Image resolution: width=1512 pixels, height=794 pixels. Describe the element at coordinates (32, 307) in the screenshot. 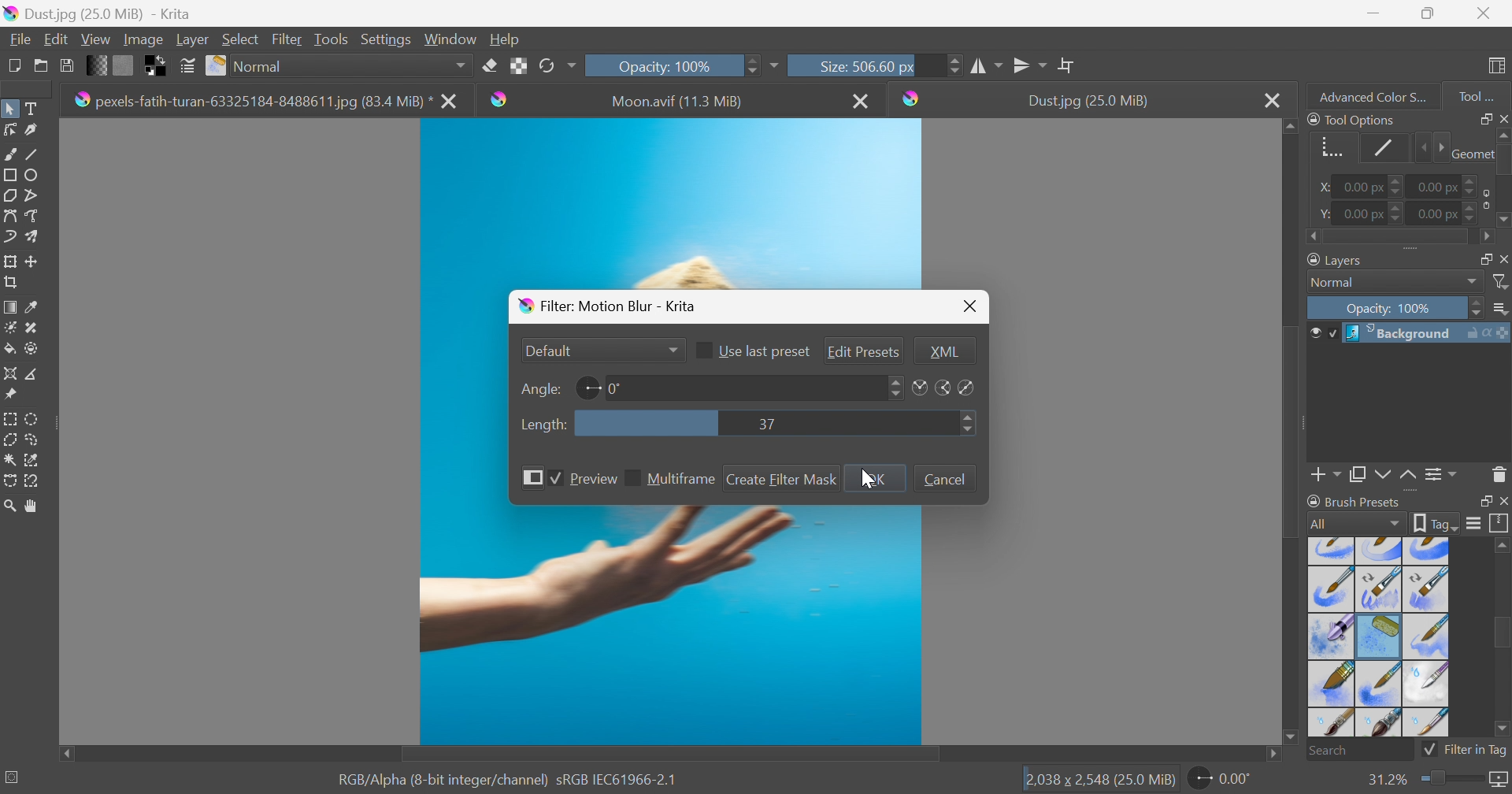

I see `Sample a color from an image or current layer` at that location.